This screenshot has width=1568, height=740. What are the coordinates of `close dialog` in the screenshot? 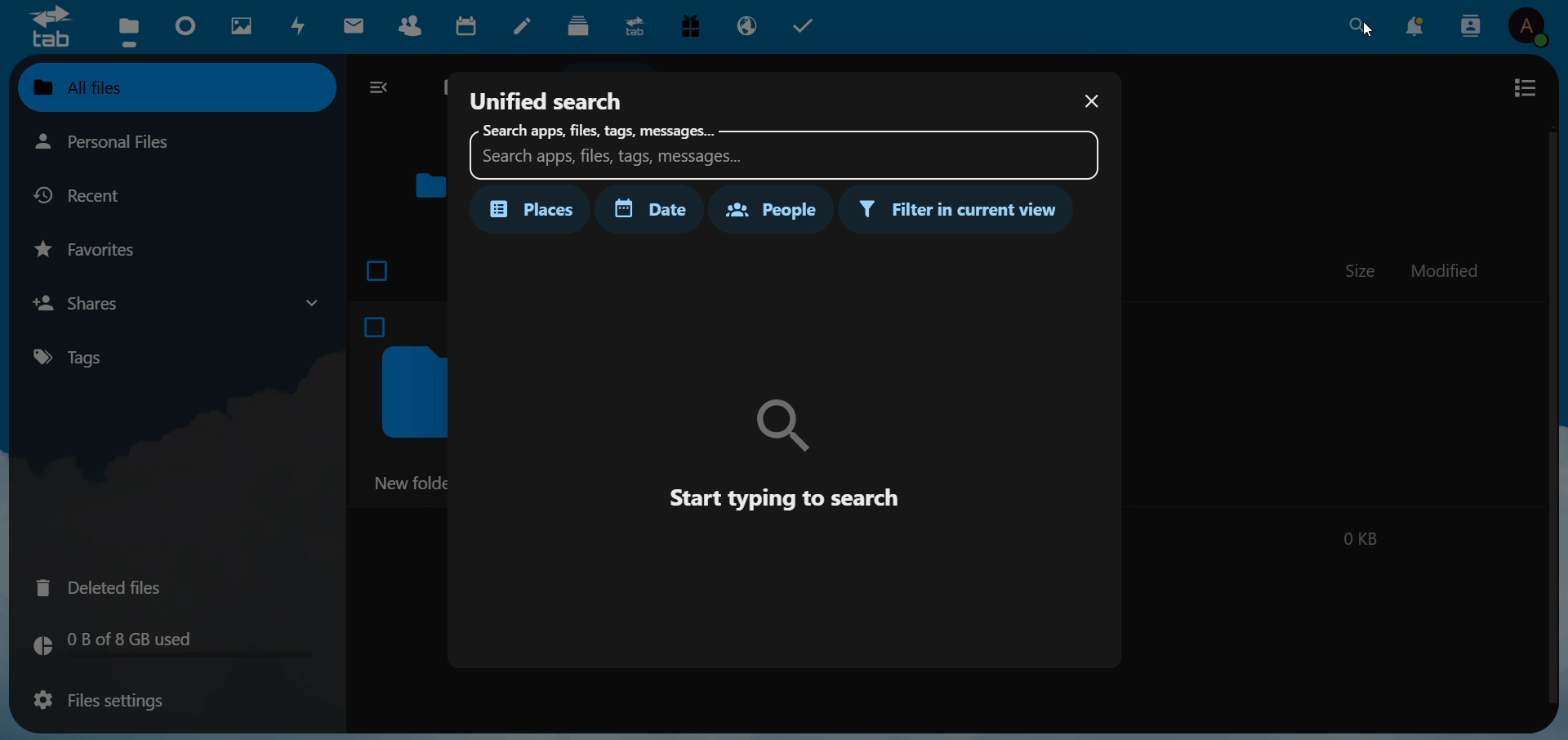 It's located at (1089, 103).